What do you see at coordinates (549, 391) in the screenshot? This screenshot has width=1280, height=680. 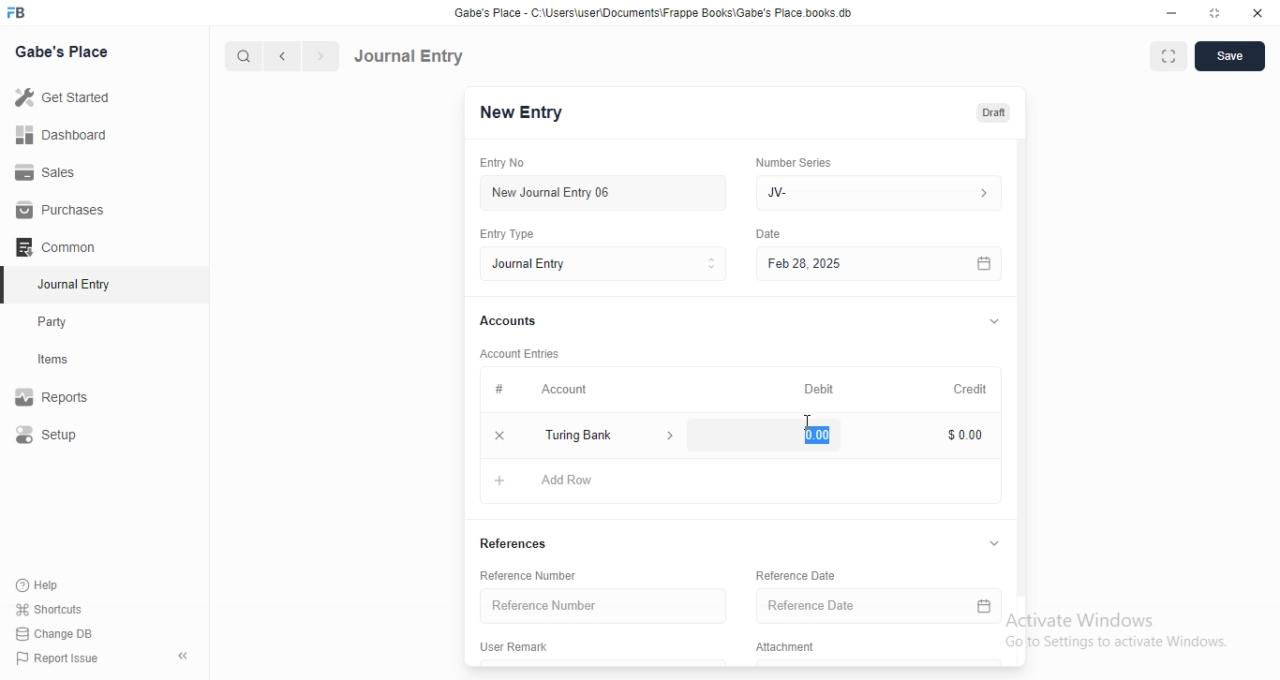 I see `Account` at bounding box center [549, 391].